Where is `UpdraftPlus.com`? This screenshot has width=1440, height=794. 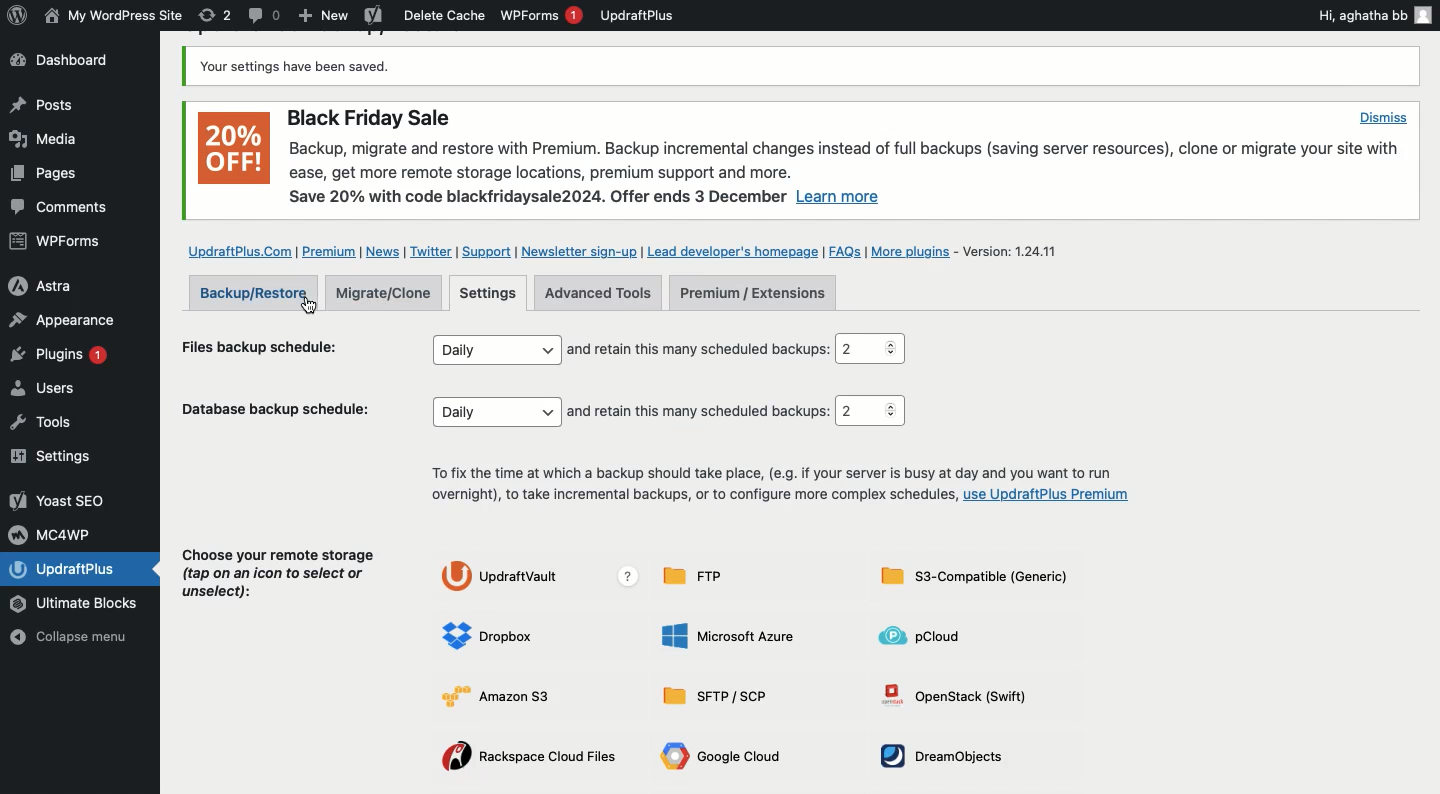
UpdraftPlus.com is located at coordinates (238, 250).